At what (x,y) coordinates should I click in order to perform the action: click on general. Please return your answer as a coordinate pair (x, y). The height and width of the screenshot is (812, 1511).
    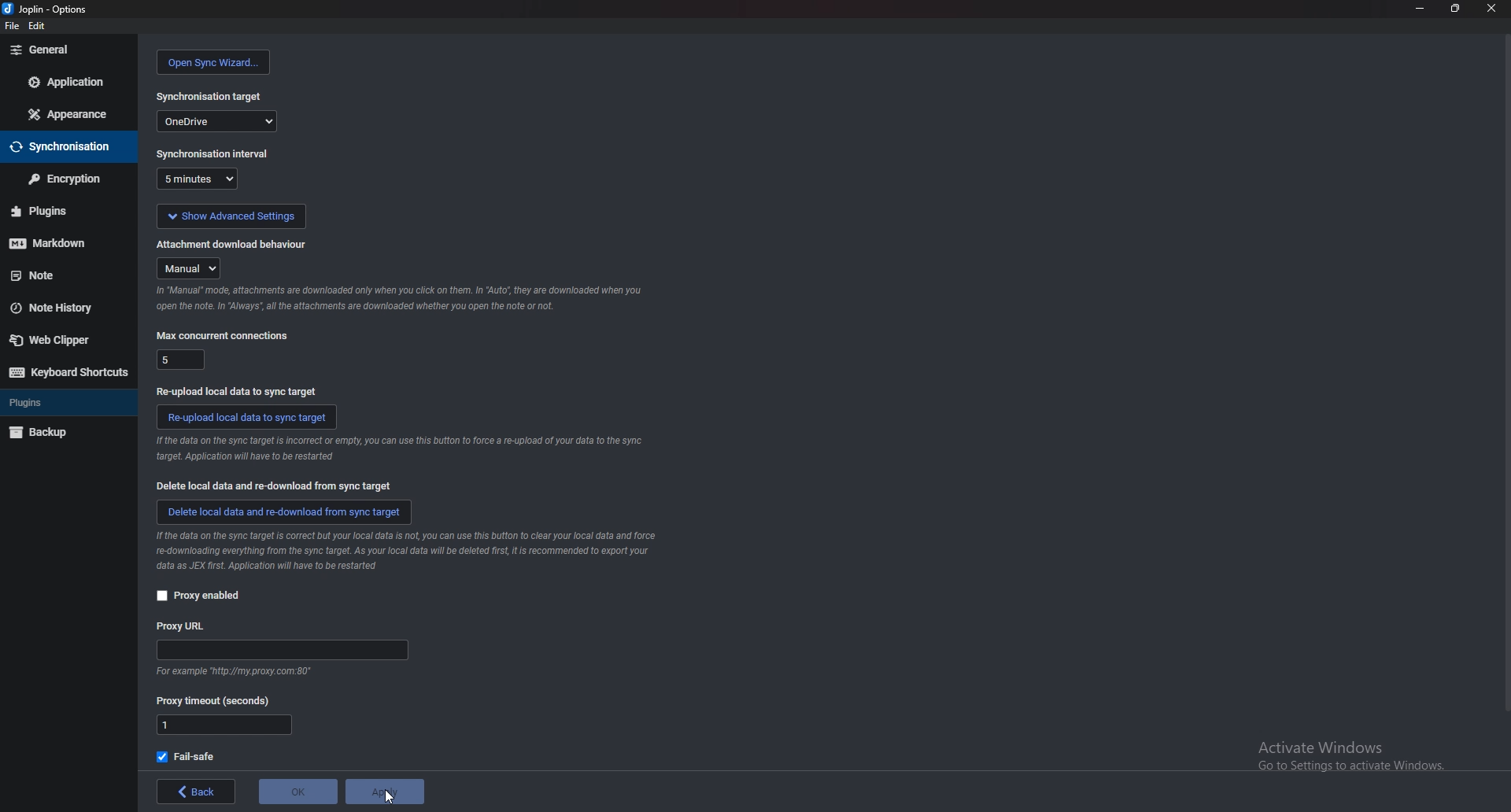
    Looking at the image, I should click on (67, 51).